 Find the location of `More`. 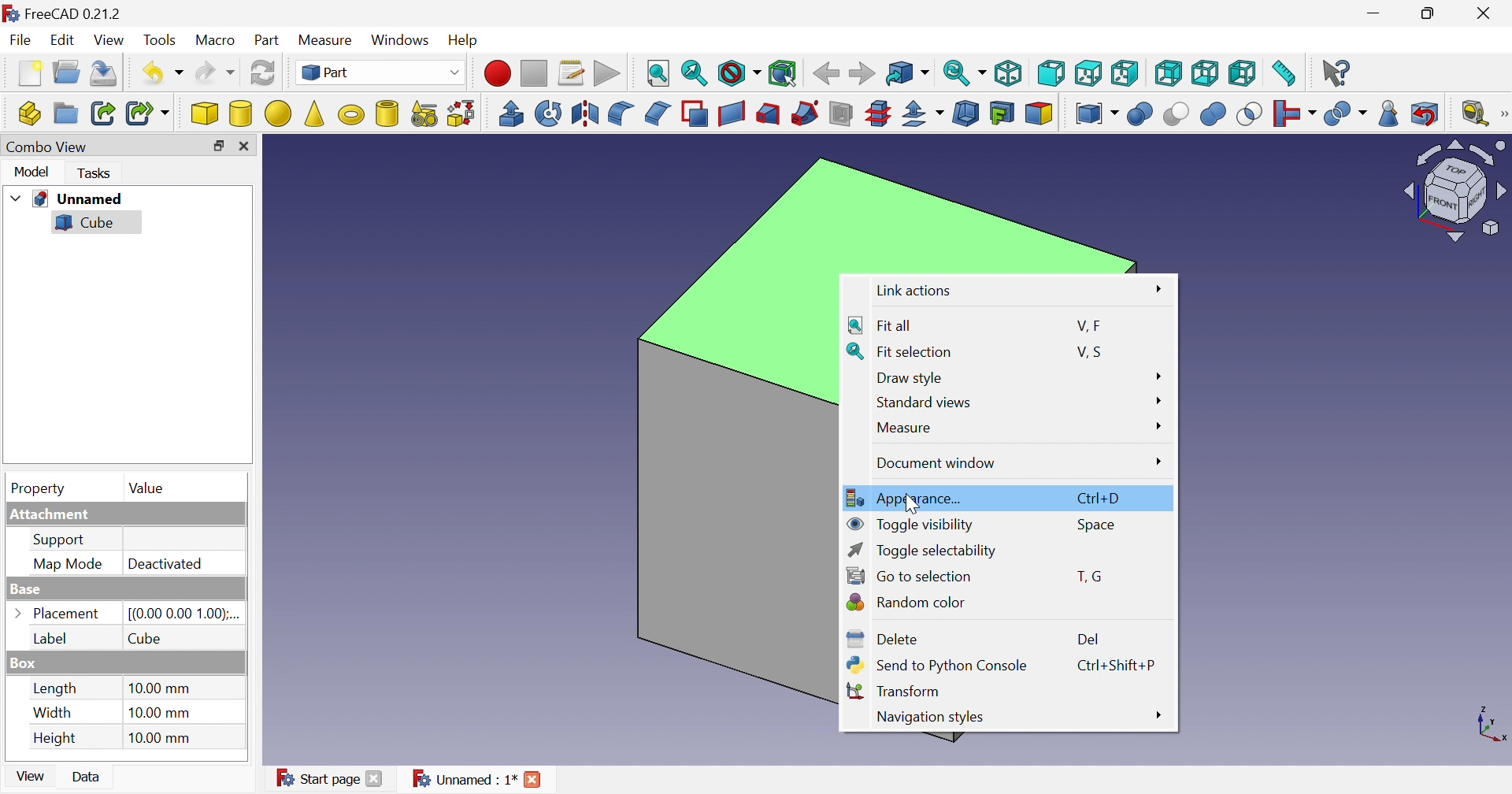

More is located at coordinates (1157, 402).